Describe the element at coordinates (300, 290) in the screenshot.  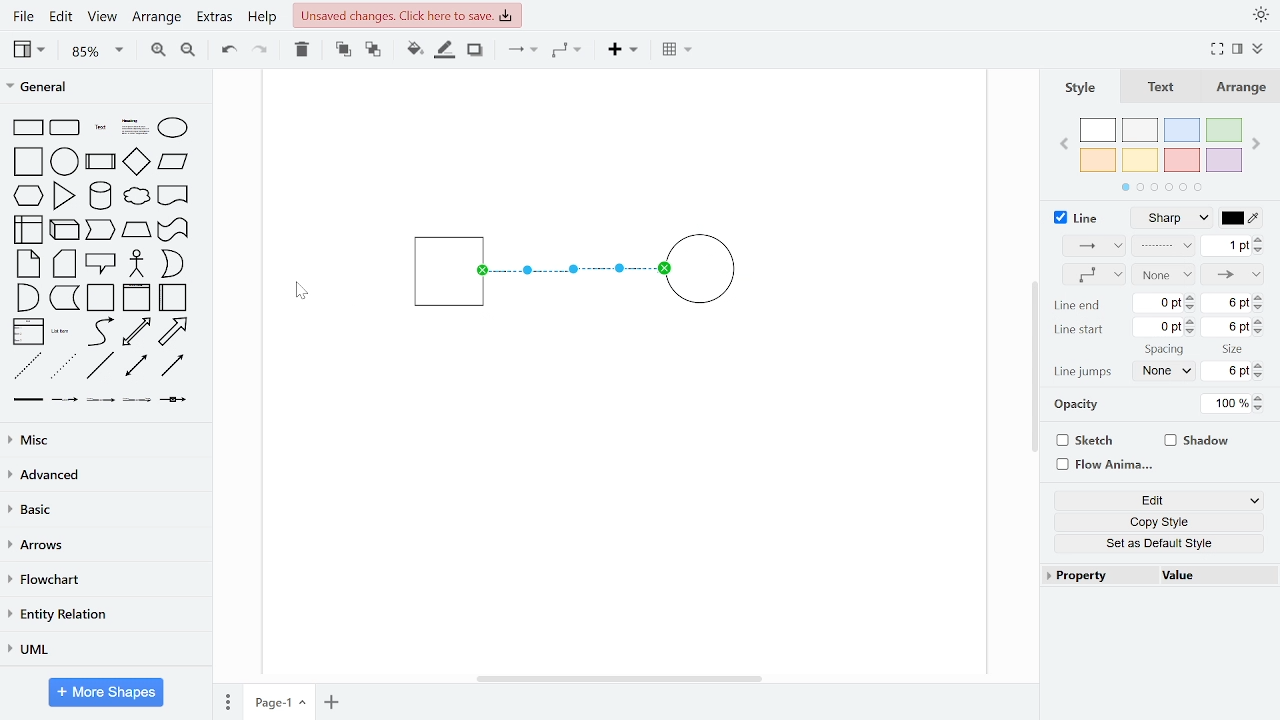
I see `Cursor` at that location.